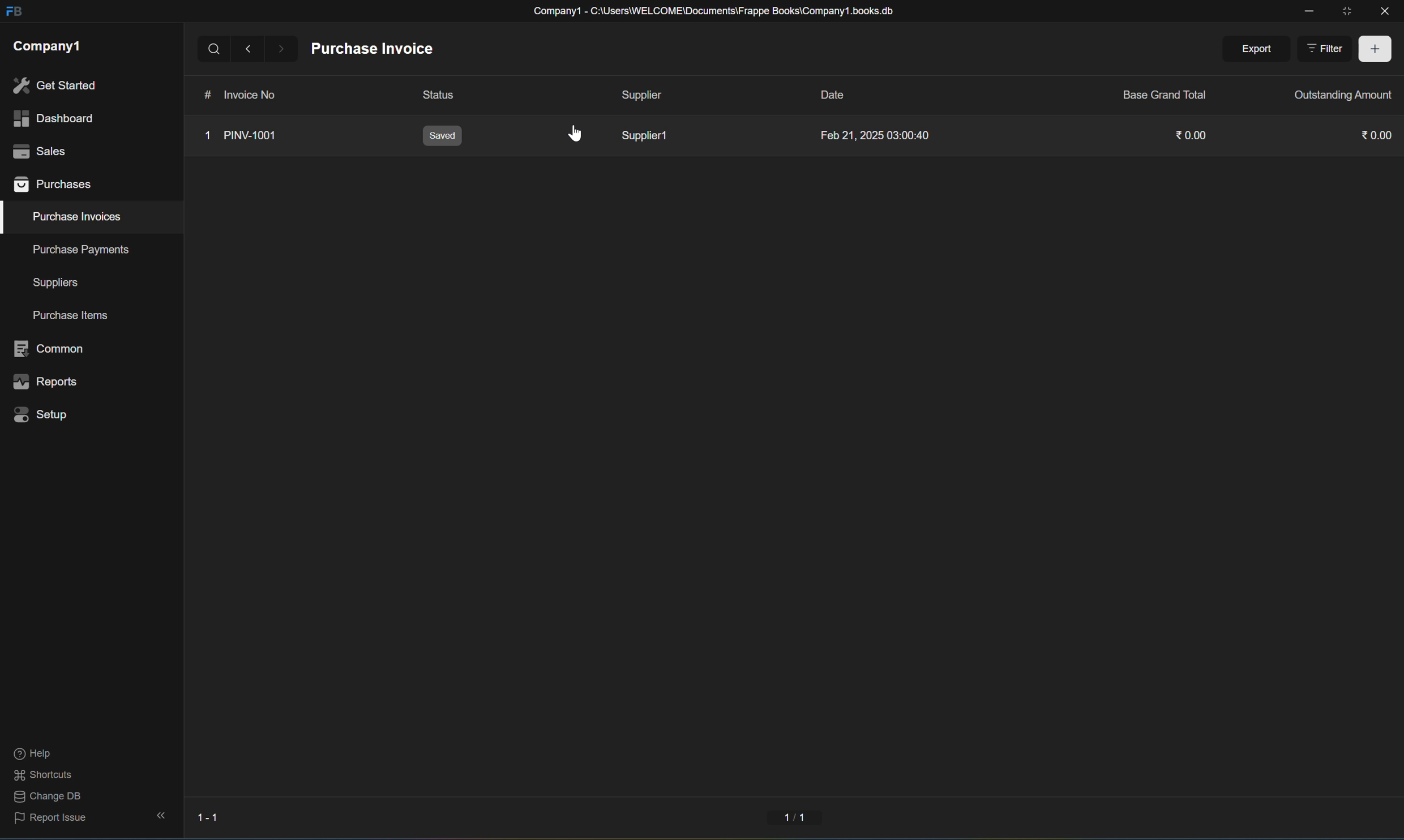  I want to click on report issue, so click(51, 821).